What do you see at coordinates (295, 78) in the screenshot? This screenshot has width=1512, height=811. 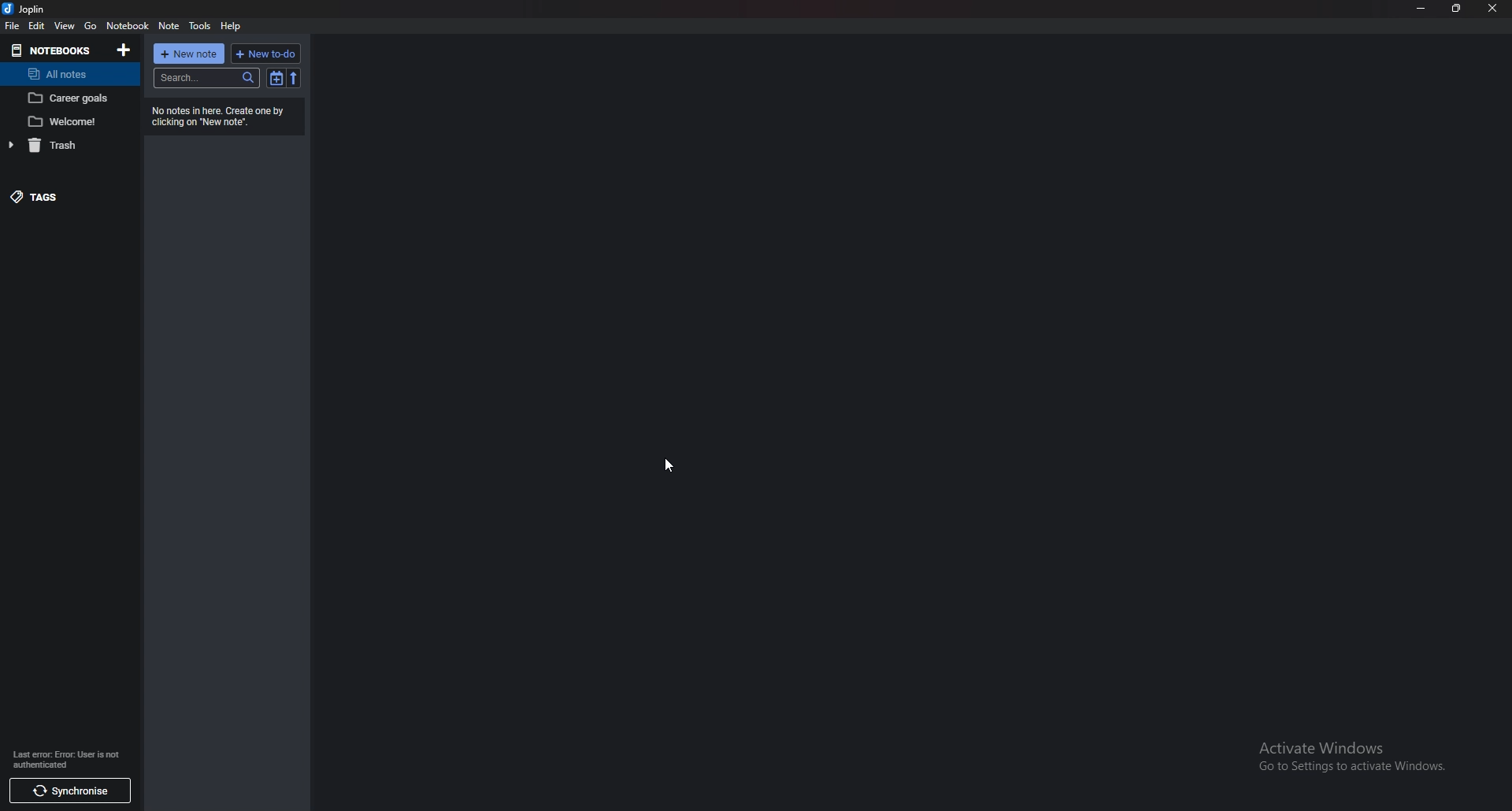 I see `reverse sort order` at bounding box center [295, 78].